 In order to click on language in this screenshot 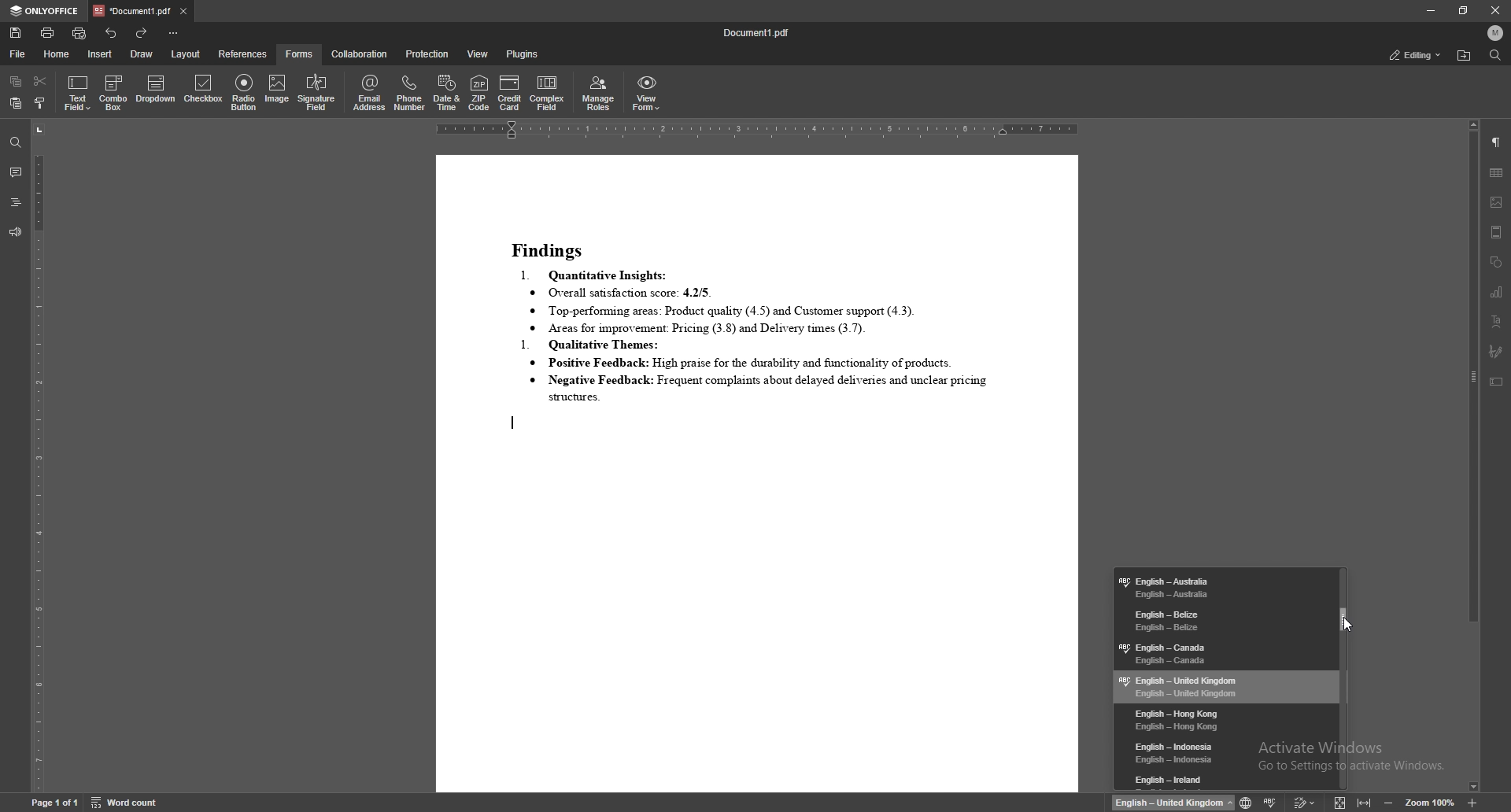, I will do `click(1225, 719)`.